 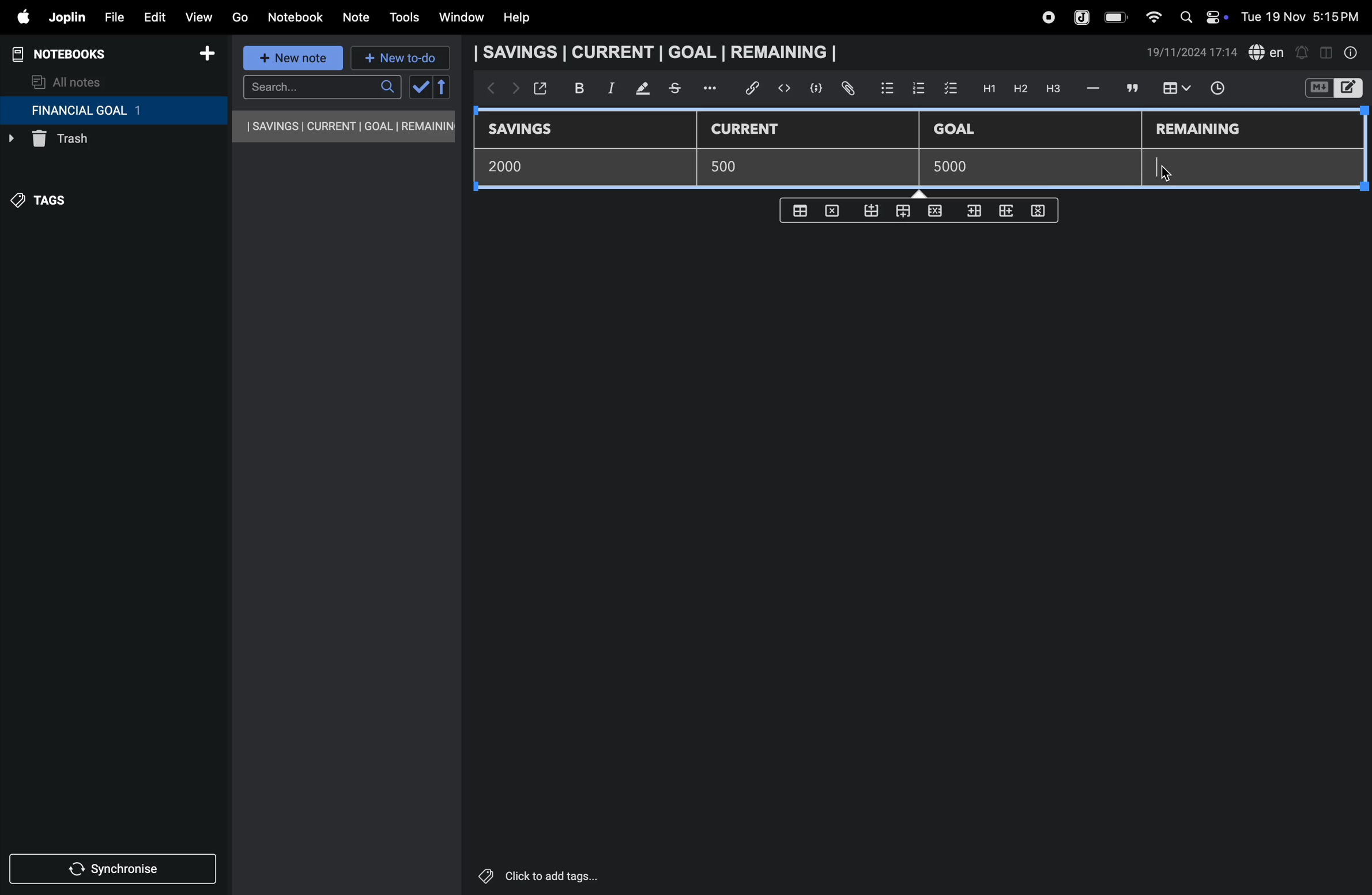 I want to click on forward, so click(x=512, y=91).